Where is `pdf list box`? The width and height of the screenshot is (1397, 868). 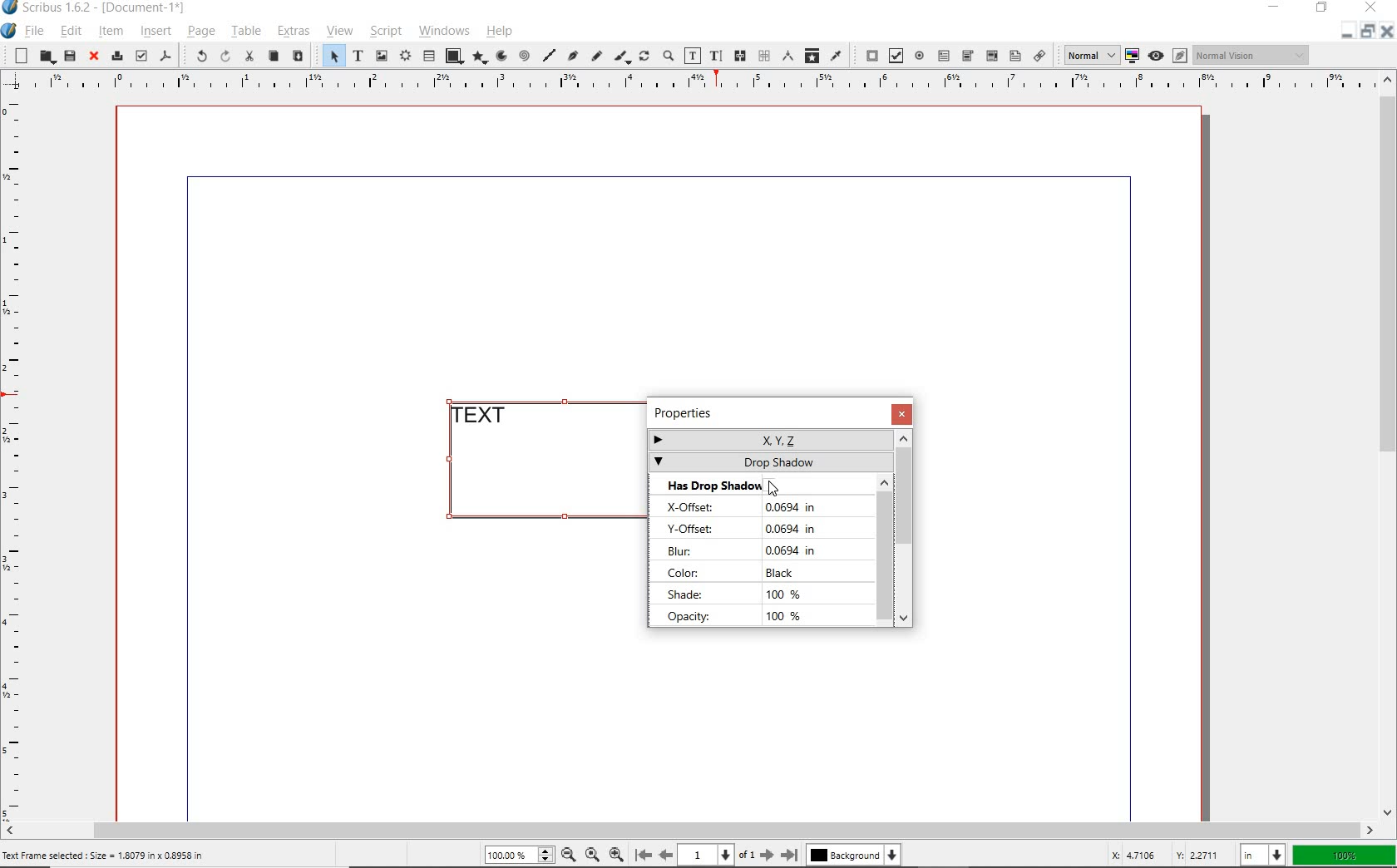
pdf list box is located at coordinates (1014, 56).